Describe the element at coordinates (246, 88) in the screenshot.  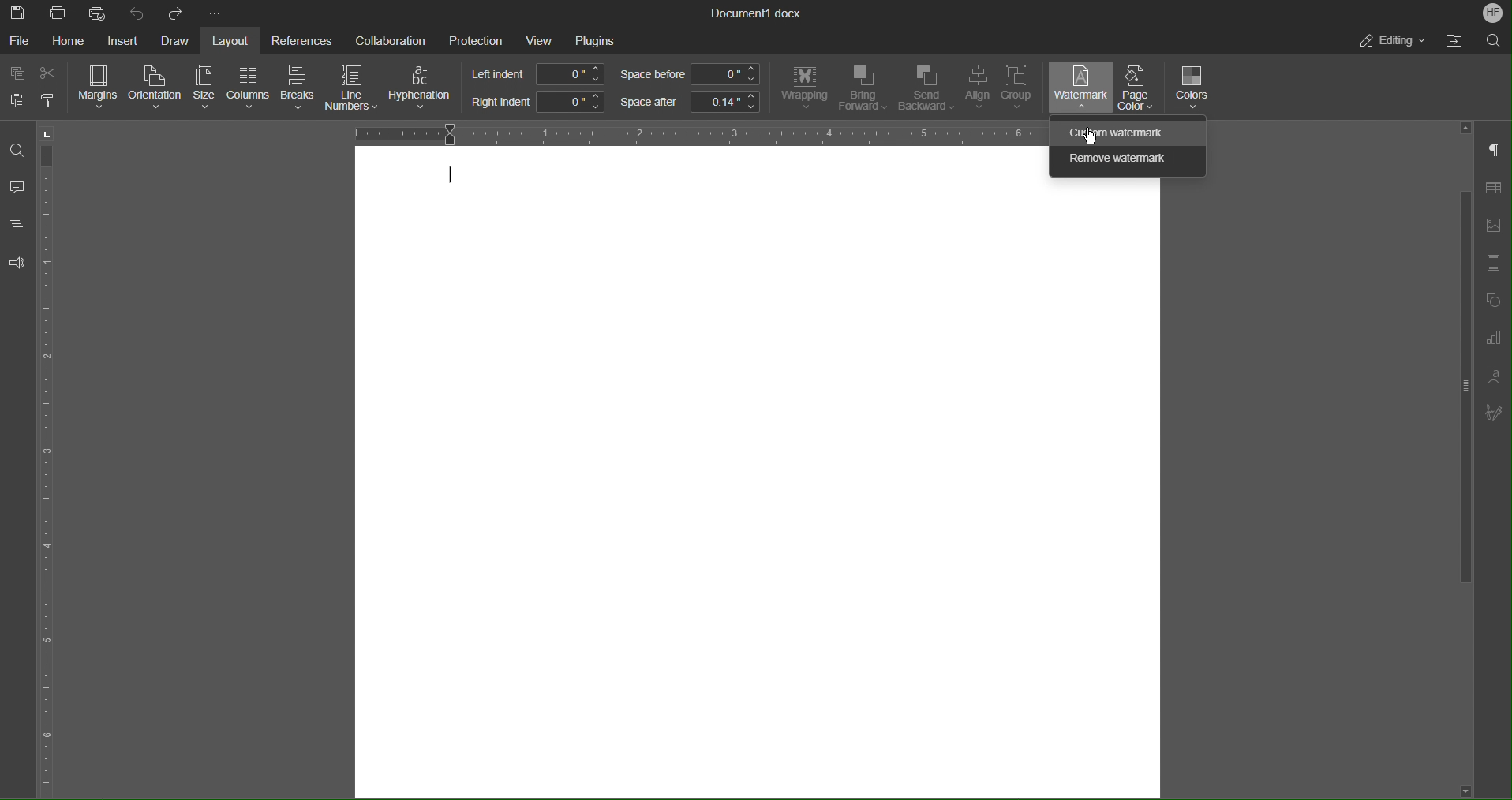
I see `Columns` at that location.